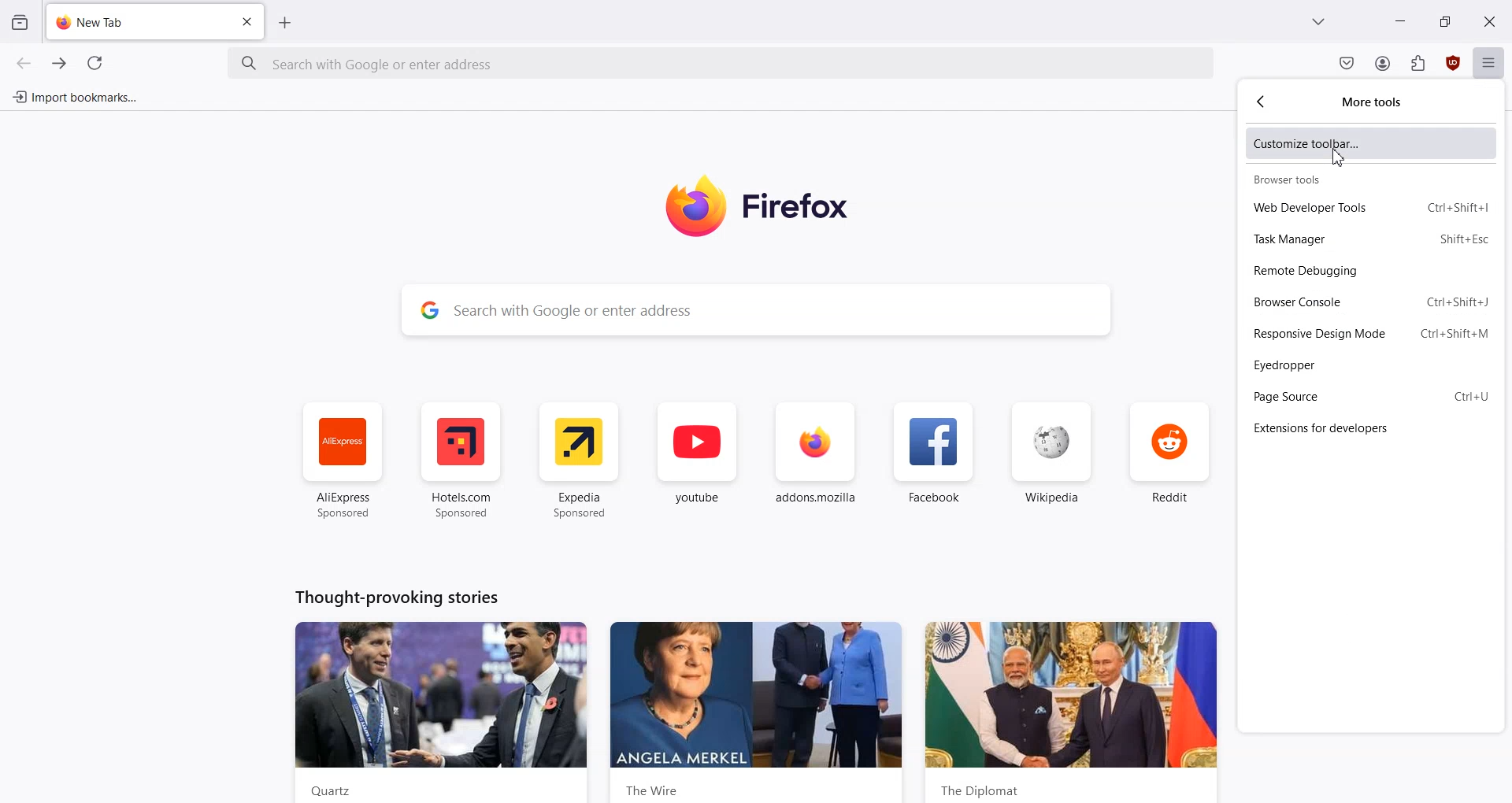  Describe the element at coordinates (1401, 20) in the screenshot. I see `Minimize` at that location.